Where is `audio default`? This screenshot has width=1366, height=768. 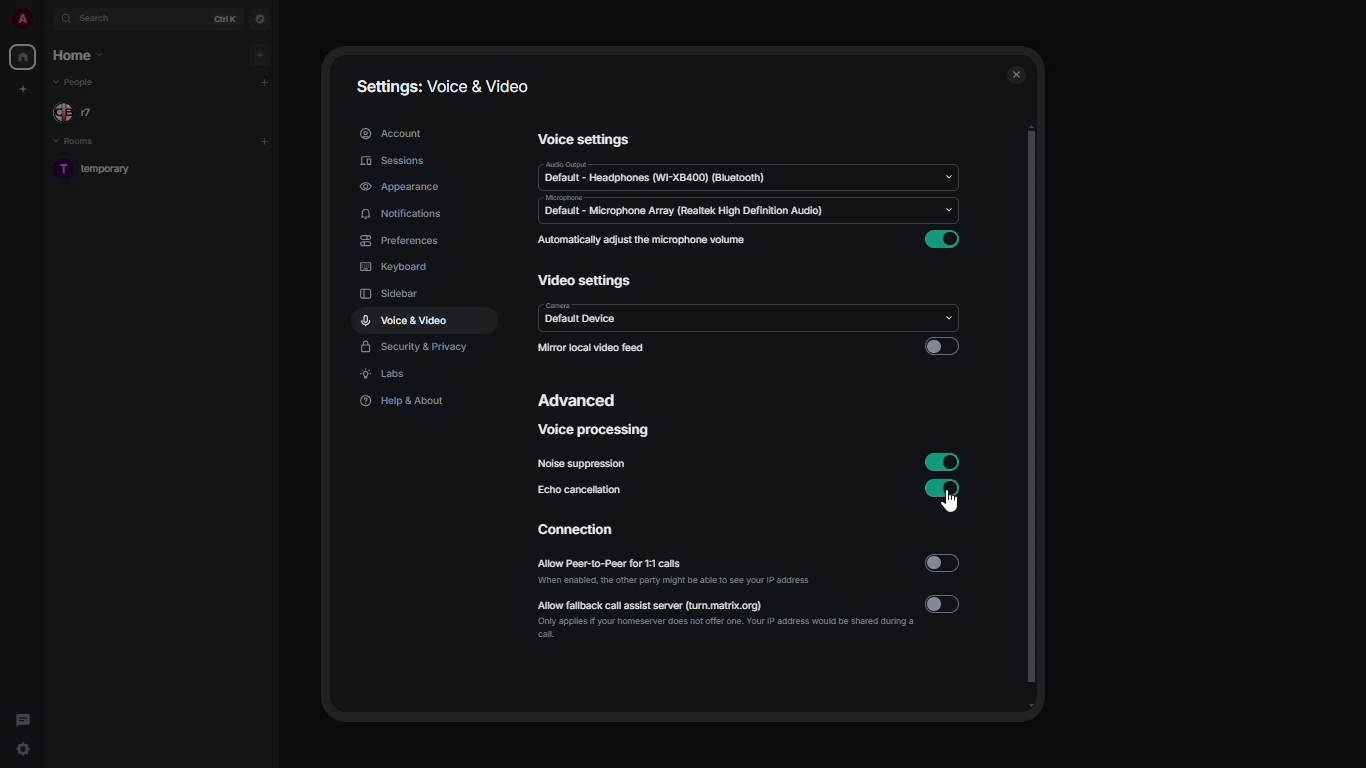
audio default is located at coordinates (658, 173).